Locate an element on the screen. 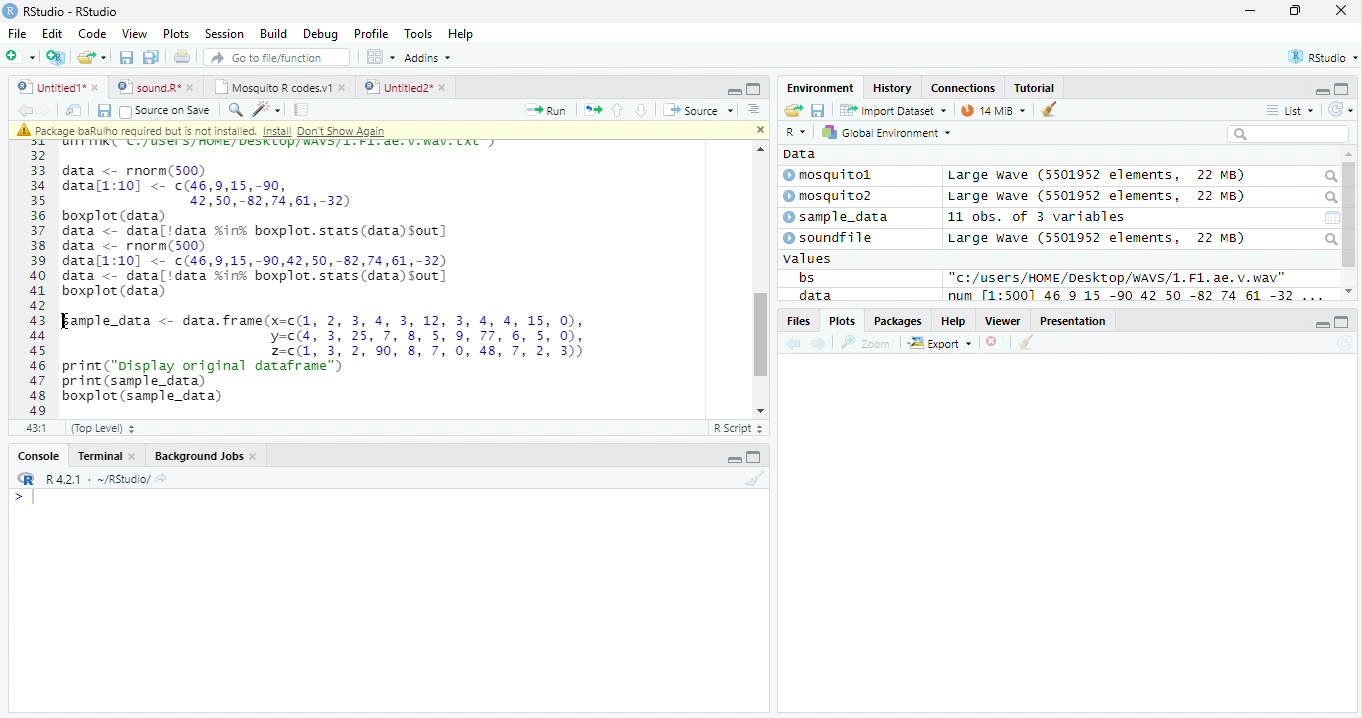 Image resolution: width=1362 pixels, height=718 pixels. Files is located at coordinates (797, 321).